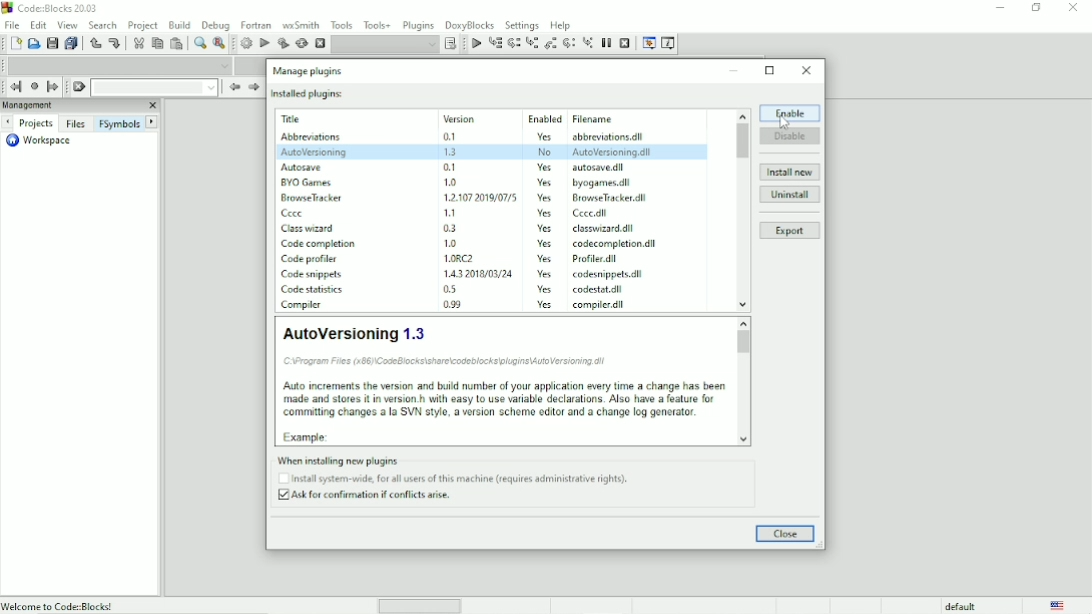 This screenshot has width=1092, height=614. Describe the element at coordinates (786, 534) in the screenshot. I see `Close` at that location.